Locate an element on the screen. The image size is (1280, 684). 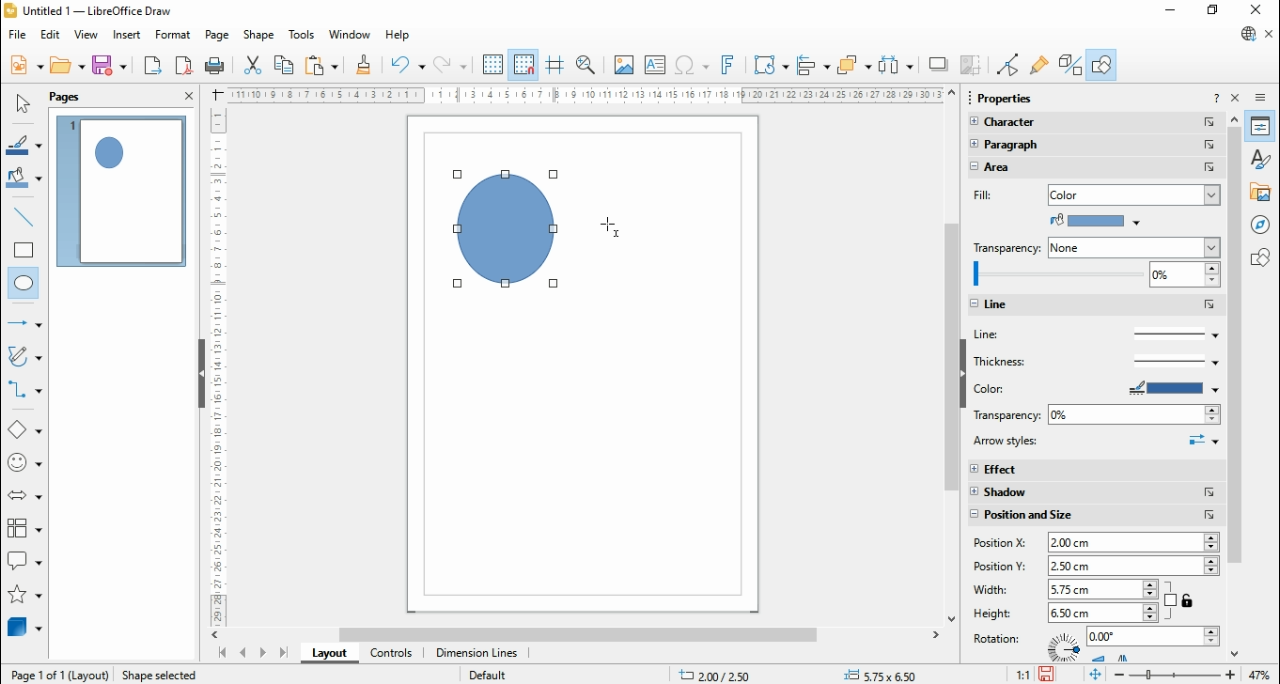
2.00 cm  is located at coordinates (1133, 543).